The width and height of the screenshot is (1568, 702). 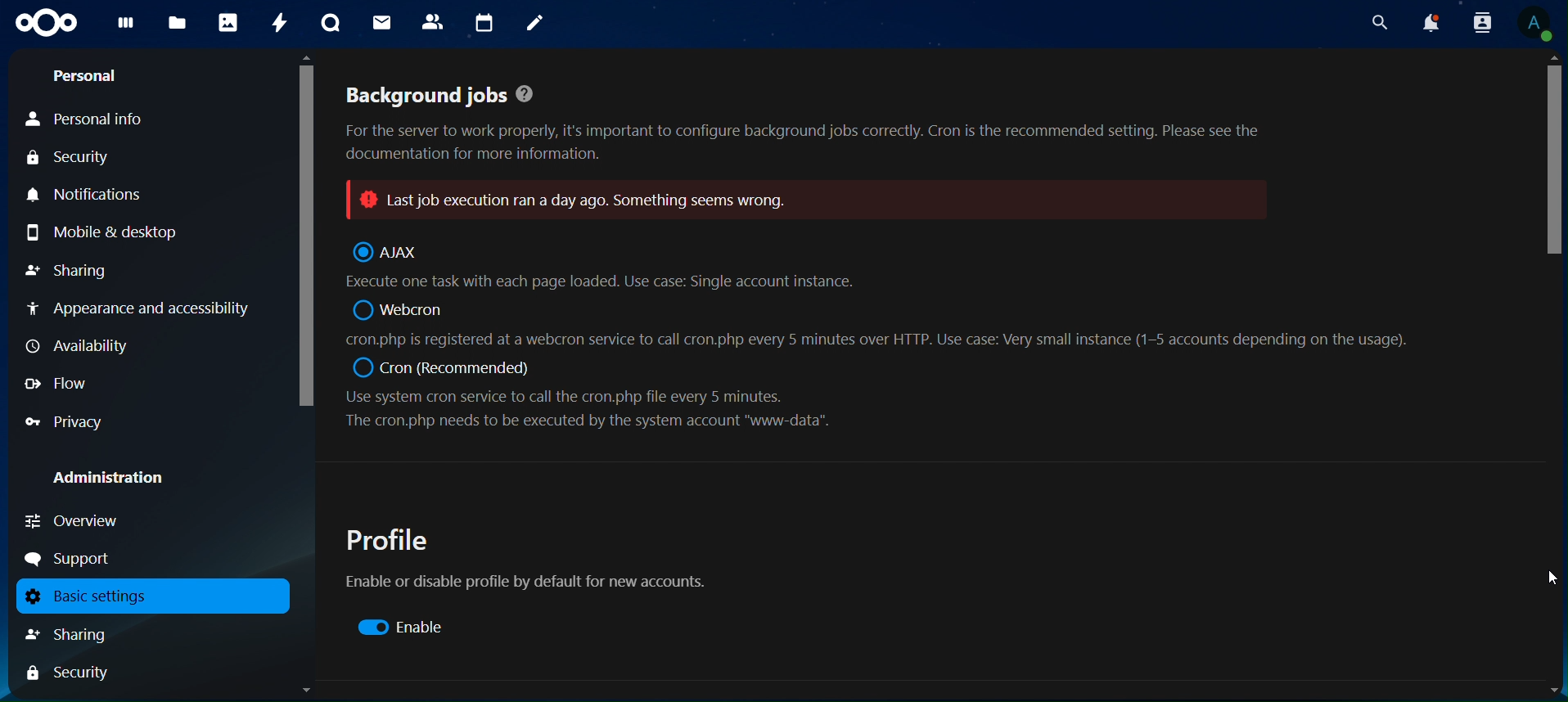 What do you see at coordinates (92, 196) in the screenshot?
I see `notifications` at bounding box center [92, 196].